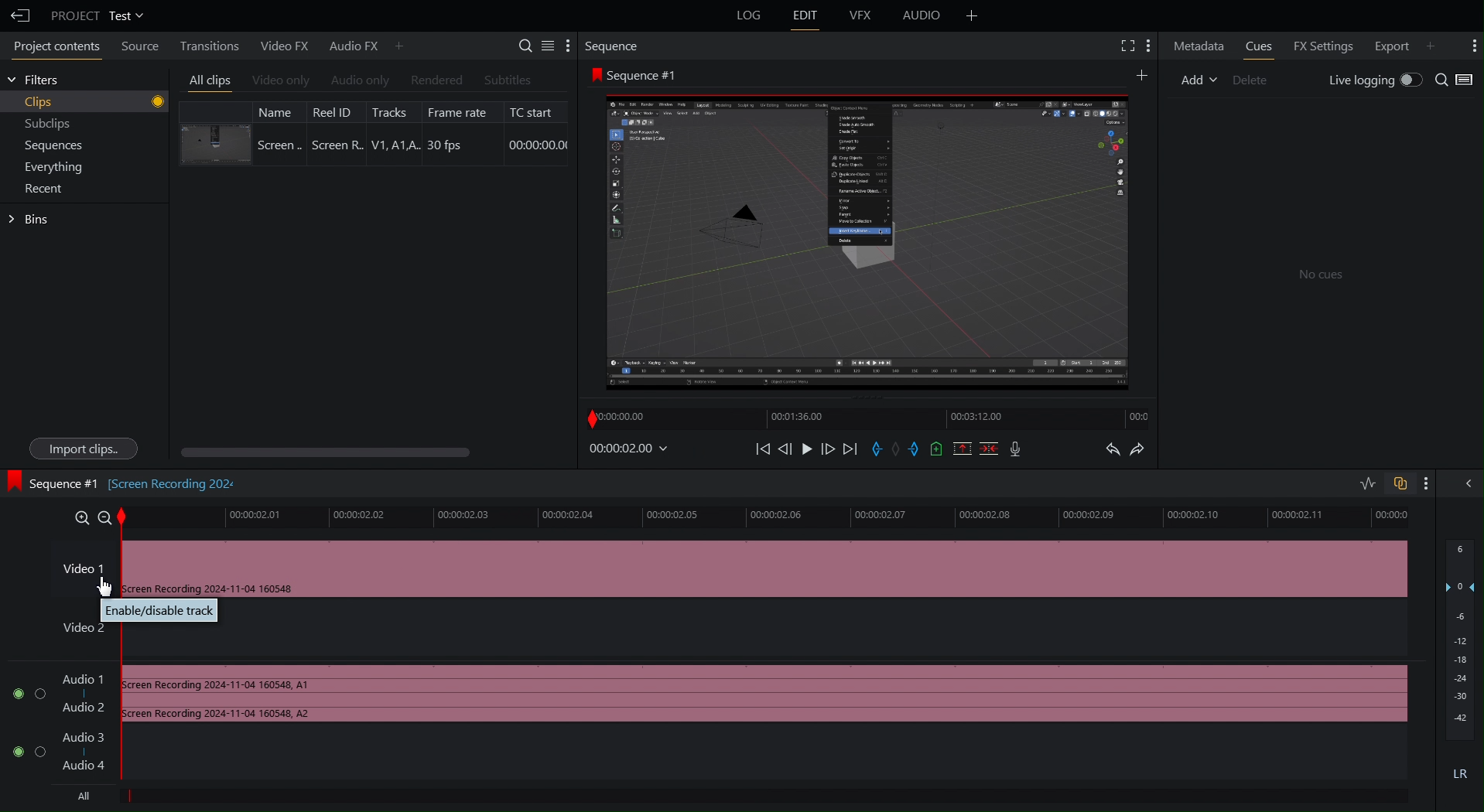 The height and width of the screenshot is (812, 1484). What do you see at coordinates (1258, 47) in the screenshot?
I see `Cues` at bounding box center [1258, 47].